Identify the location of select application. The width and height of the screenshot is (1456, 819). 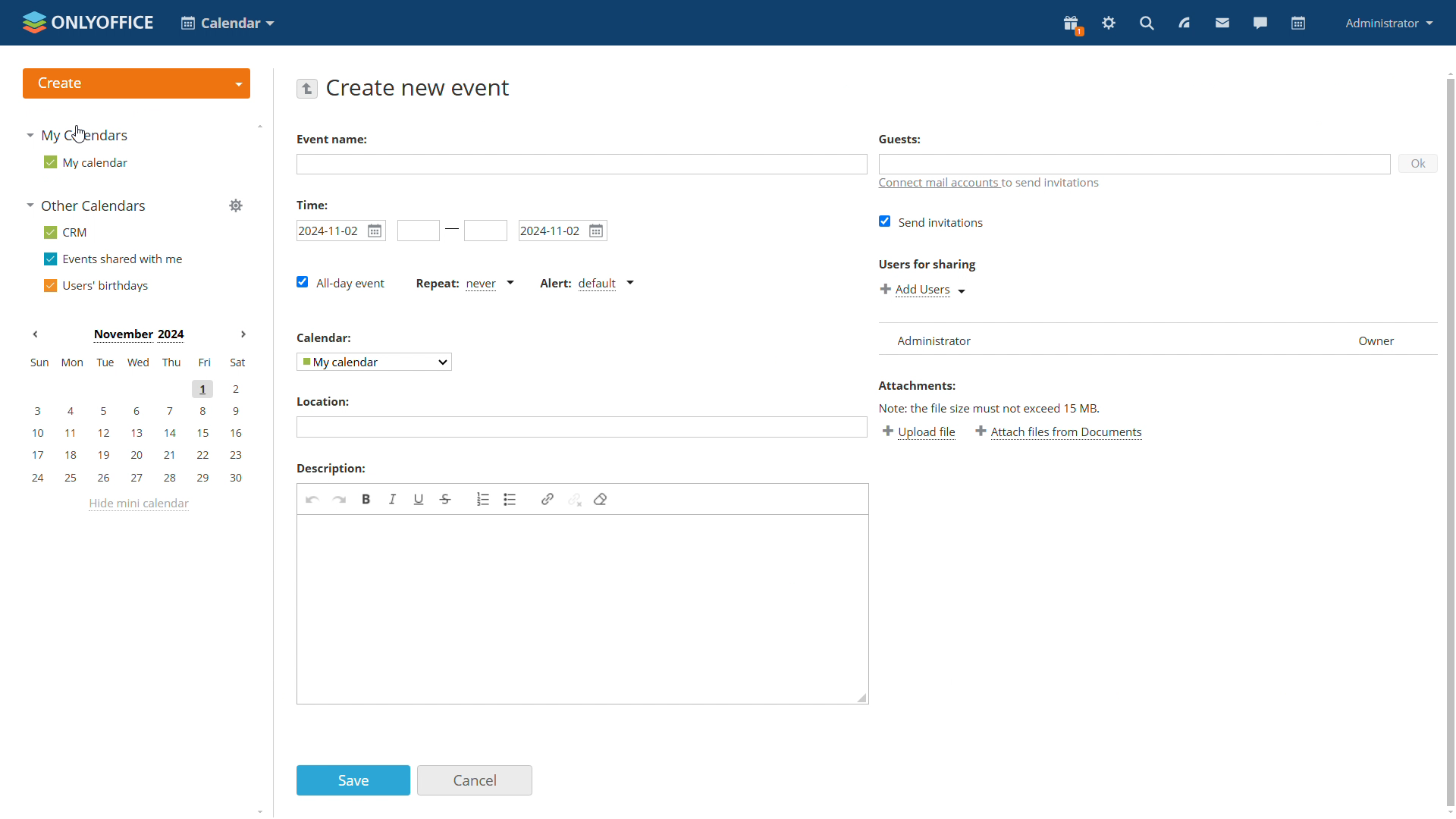
(226, 22).